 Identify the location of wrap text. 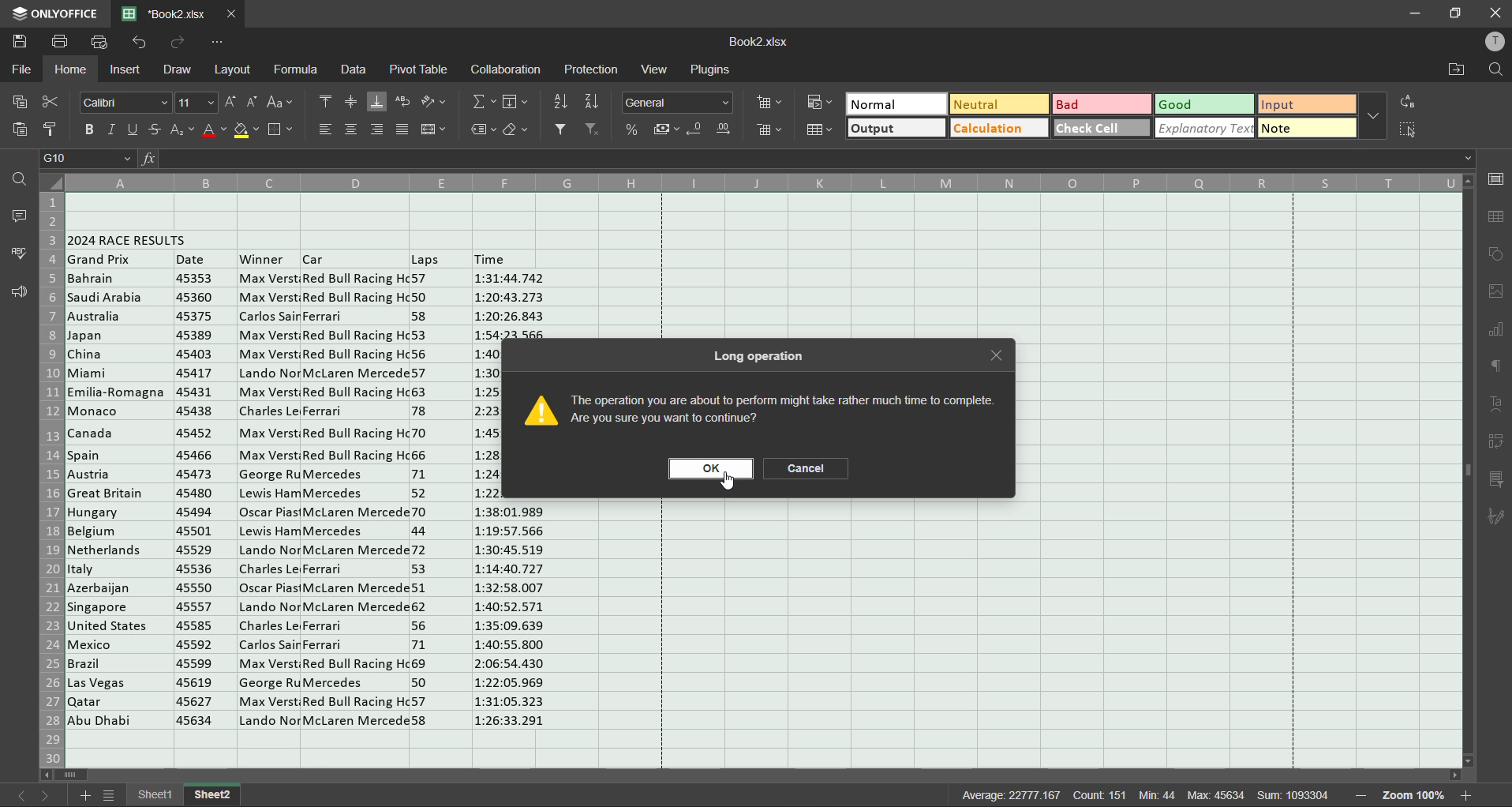
(405, 103).